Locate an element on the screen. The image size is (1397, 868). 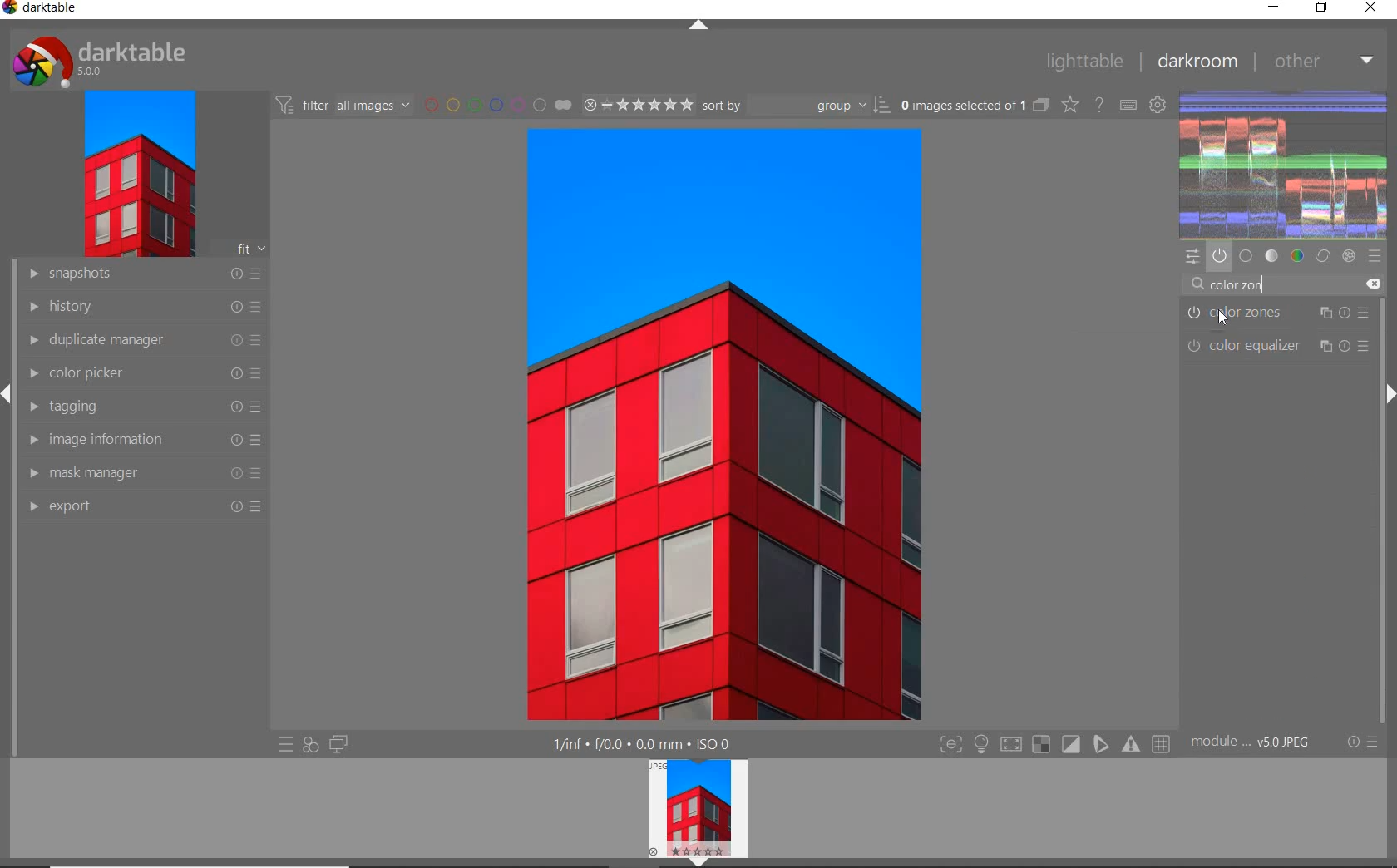
expand/collapse is located at coordinates (1385, 396).